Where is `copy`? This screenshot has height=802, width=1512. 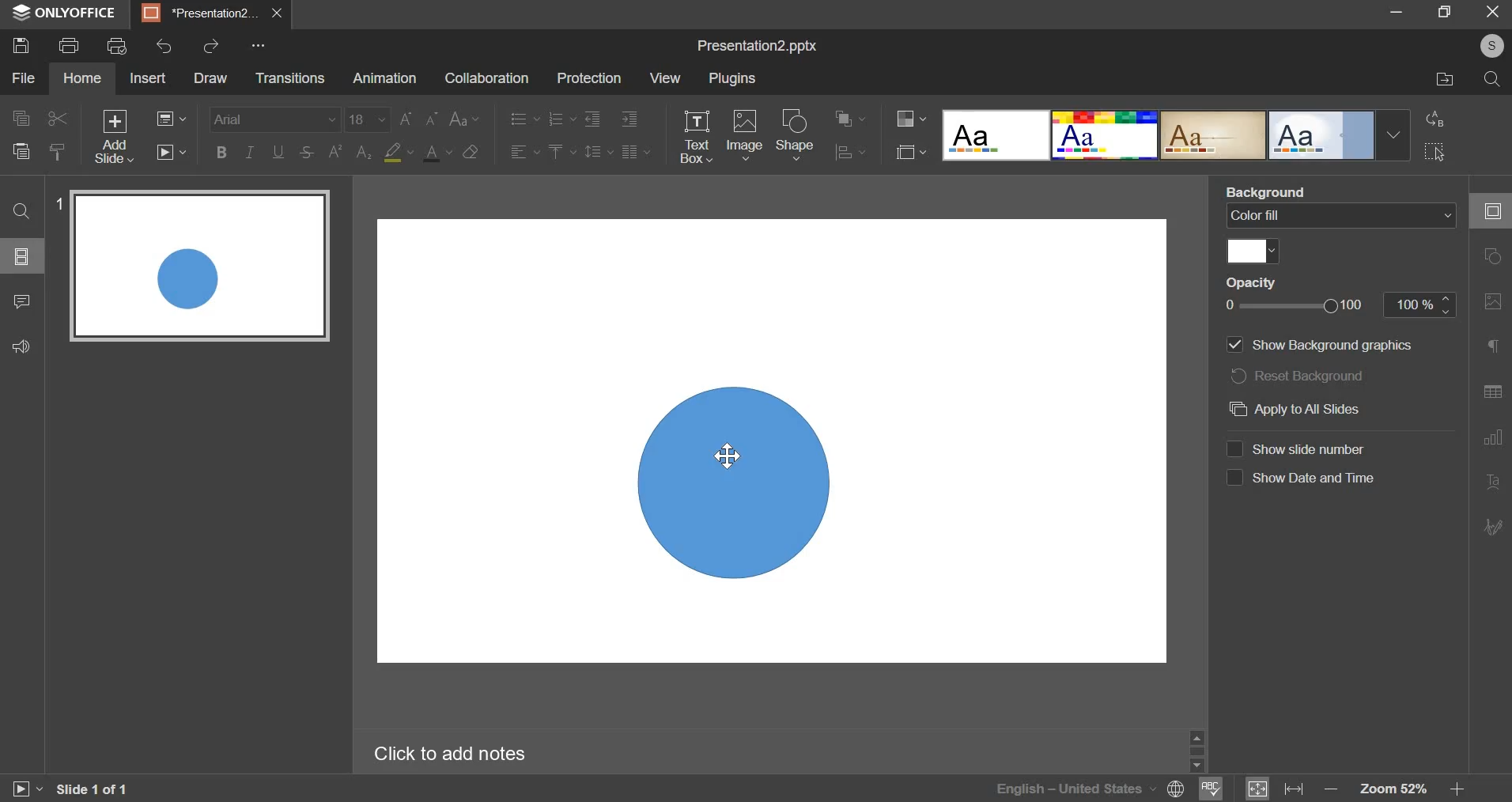
copy is located at coordinates (20, 116).